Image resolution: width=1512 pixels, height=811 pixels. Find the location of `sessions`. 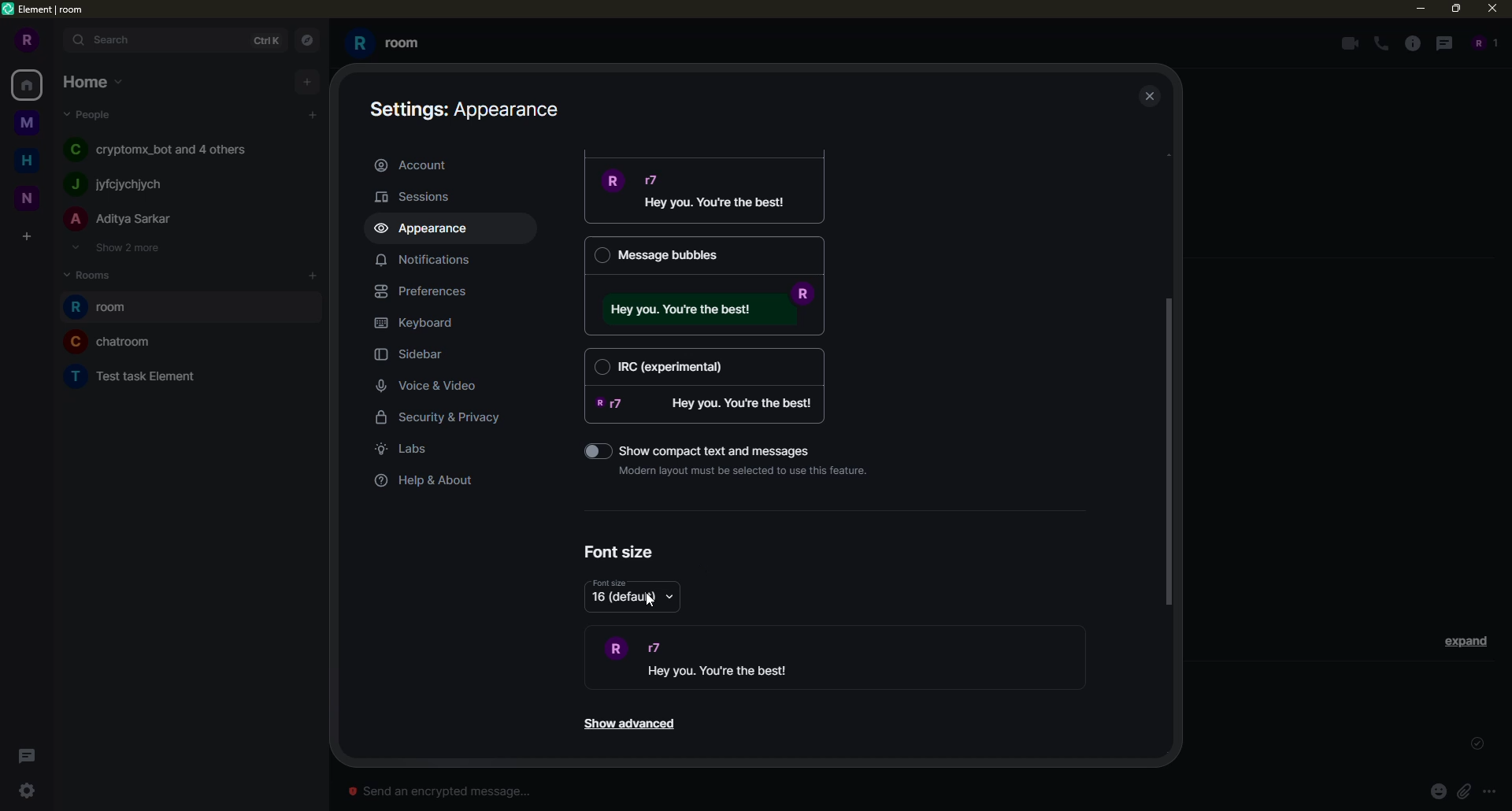

sessions is located at coordinates (422, 196).